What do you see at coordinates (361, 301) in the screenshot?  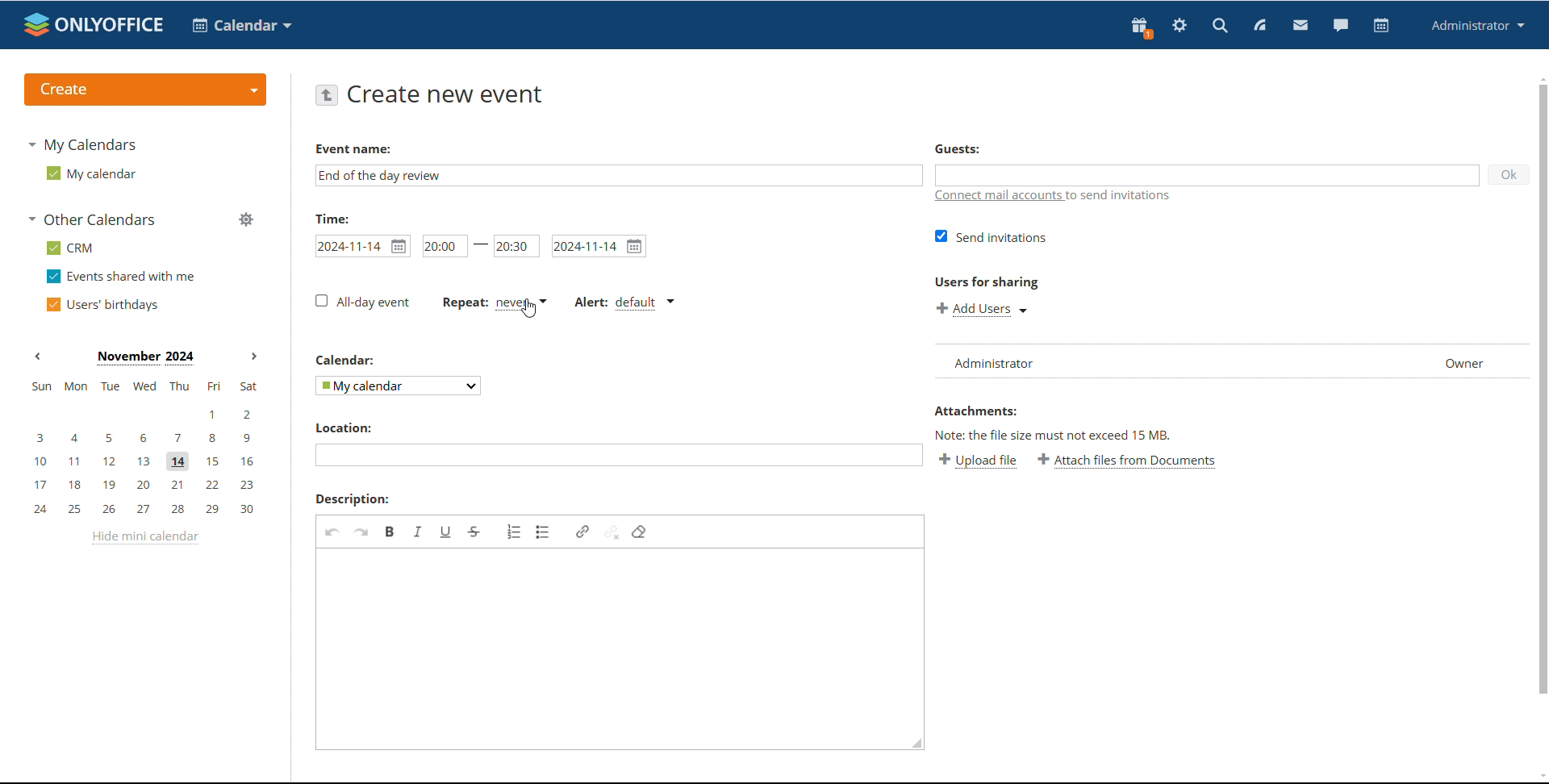 I see `all-day event unticked` at bounding box center [361, 301].